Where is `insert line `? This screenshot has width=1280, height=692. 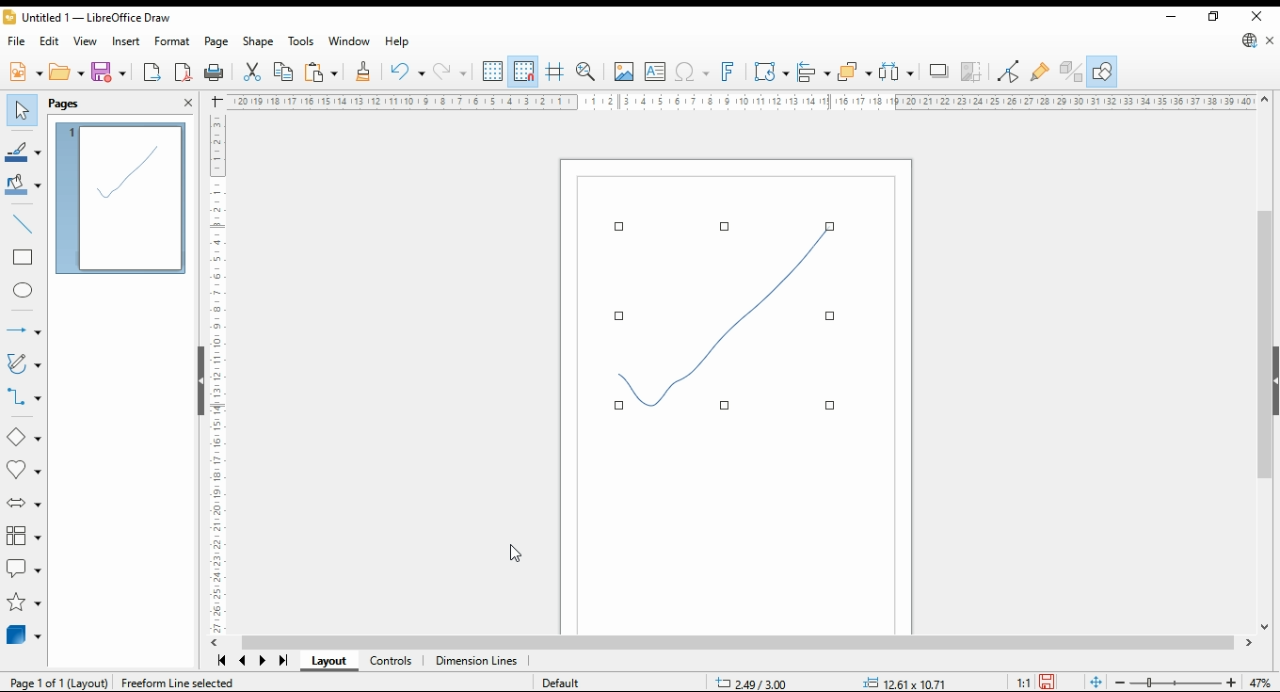
insert line  is located at coordinates (25, 225).